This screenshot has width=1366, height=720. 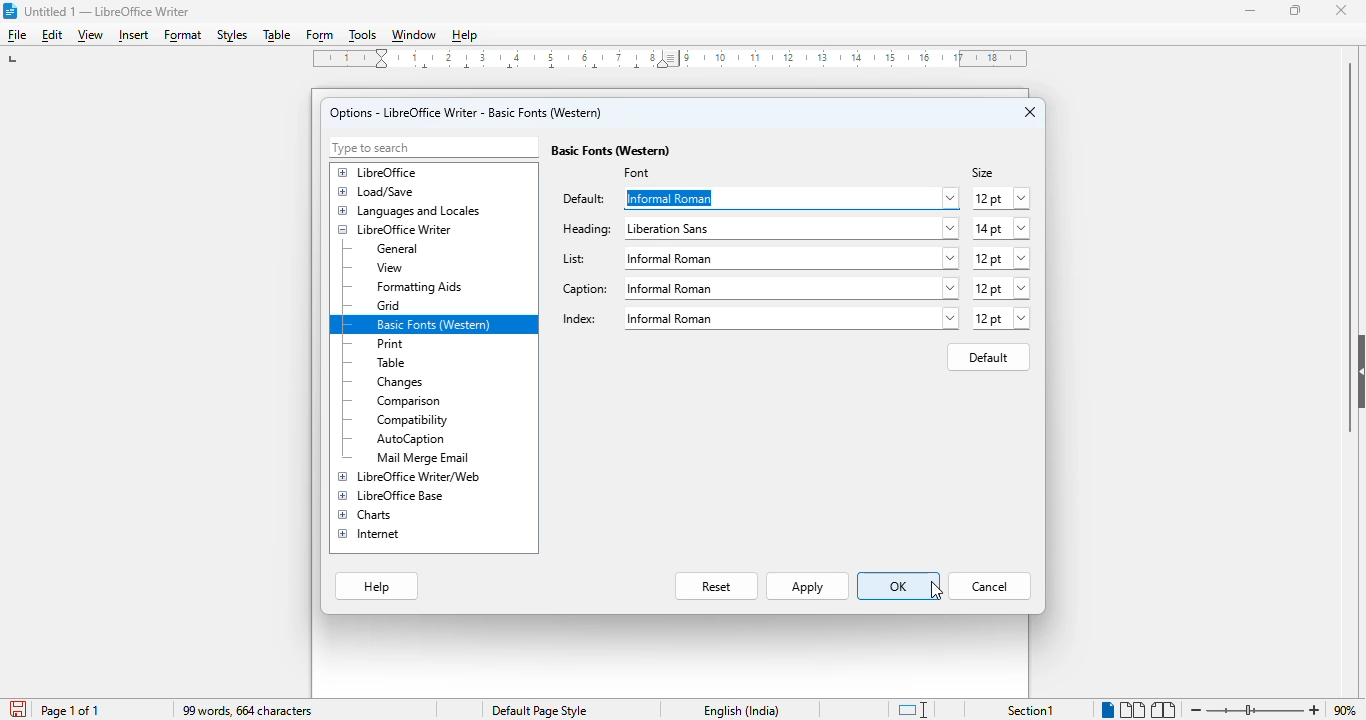 I want to click on LibreOffice Writer, so click(x=395, y=230).